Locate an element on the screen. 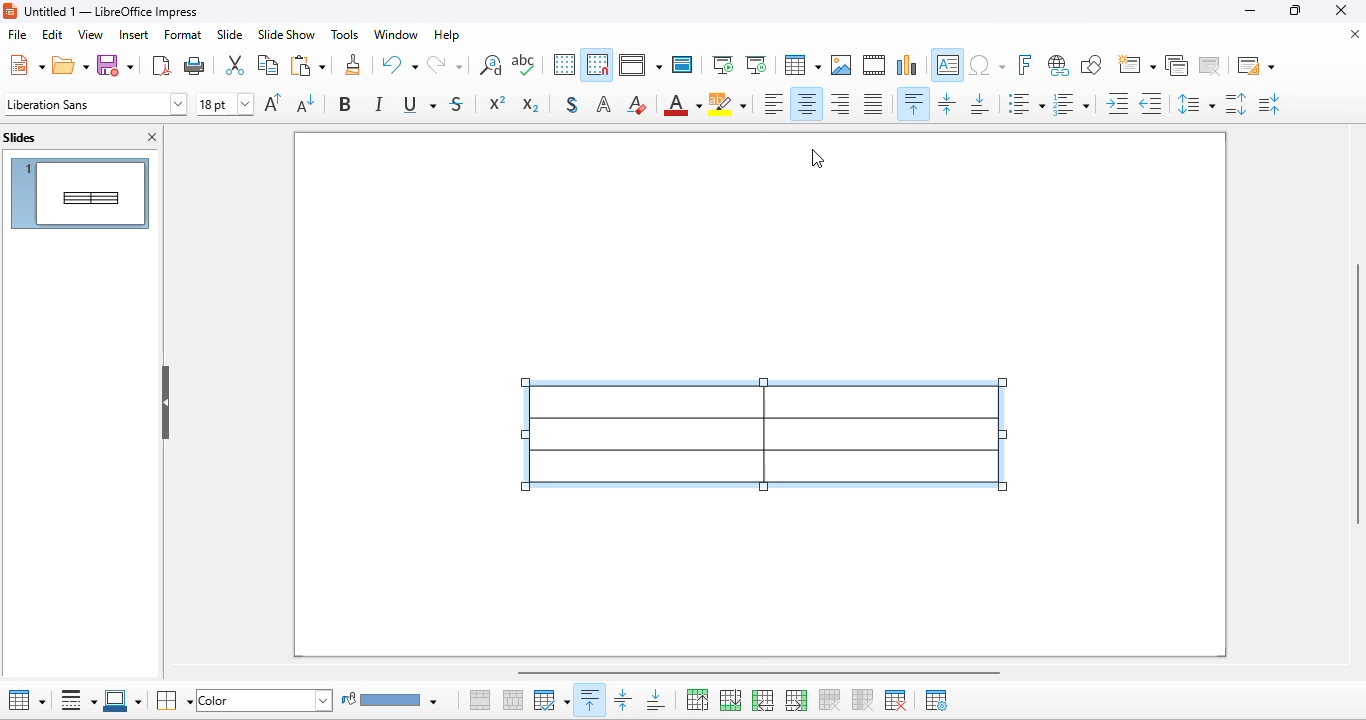 This screenshot has width=1366, height=720. area style/filling is located at coordinates (265, 700).